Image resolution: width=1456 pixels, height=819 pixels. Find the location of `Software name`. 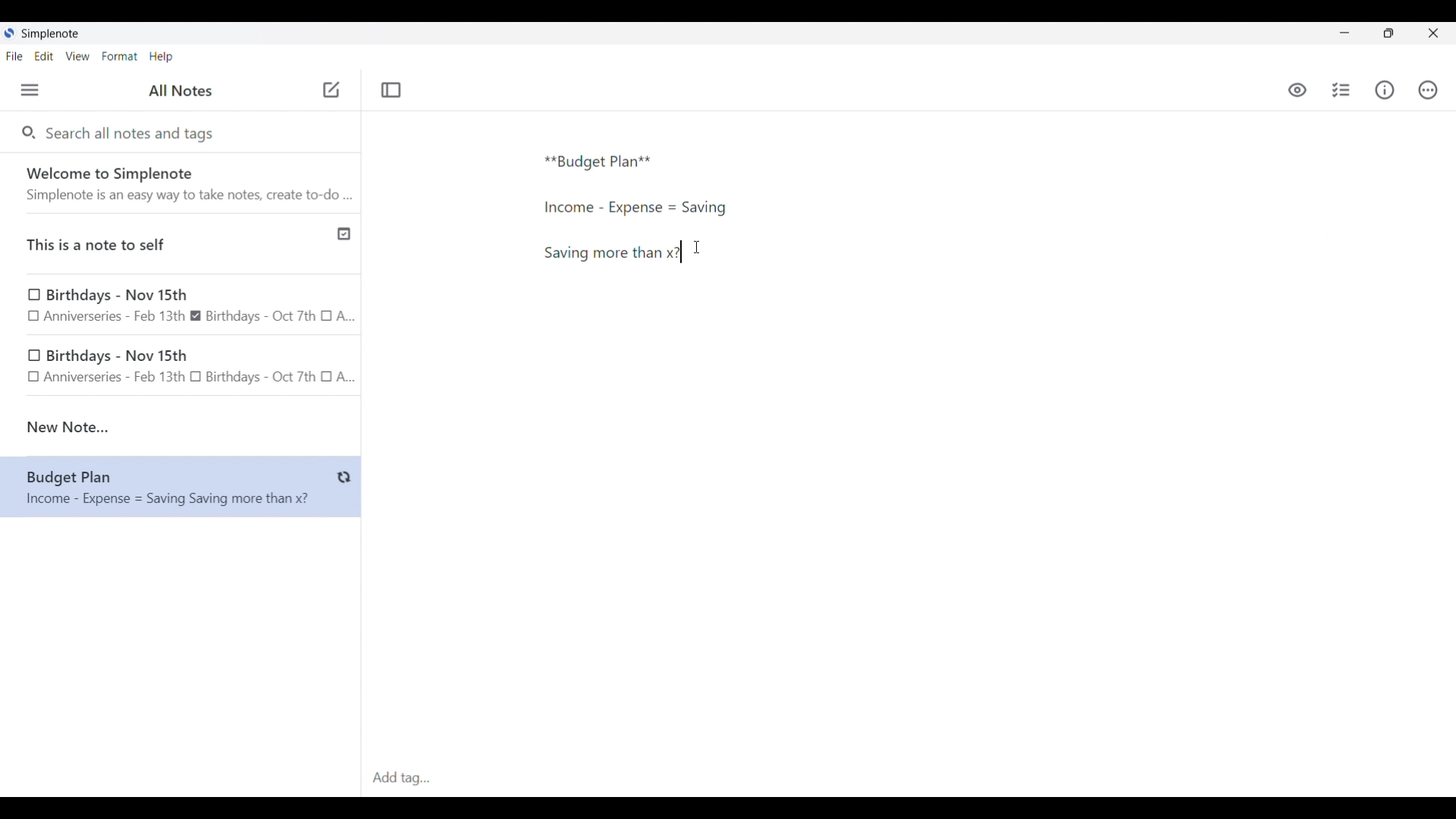

Software name is located at coordinates (52, 34).